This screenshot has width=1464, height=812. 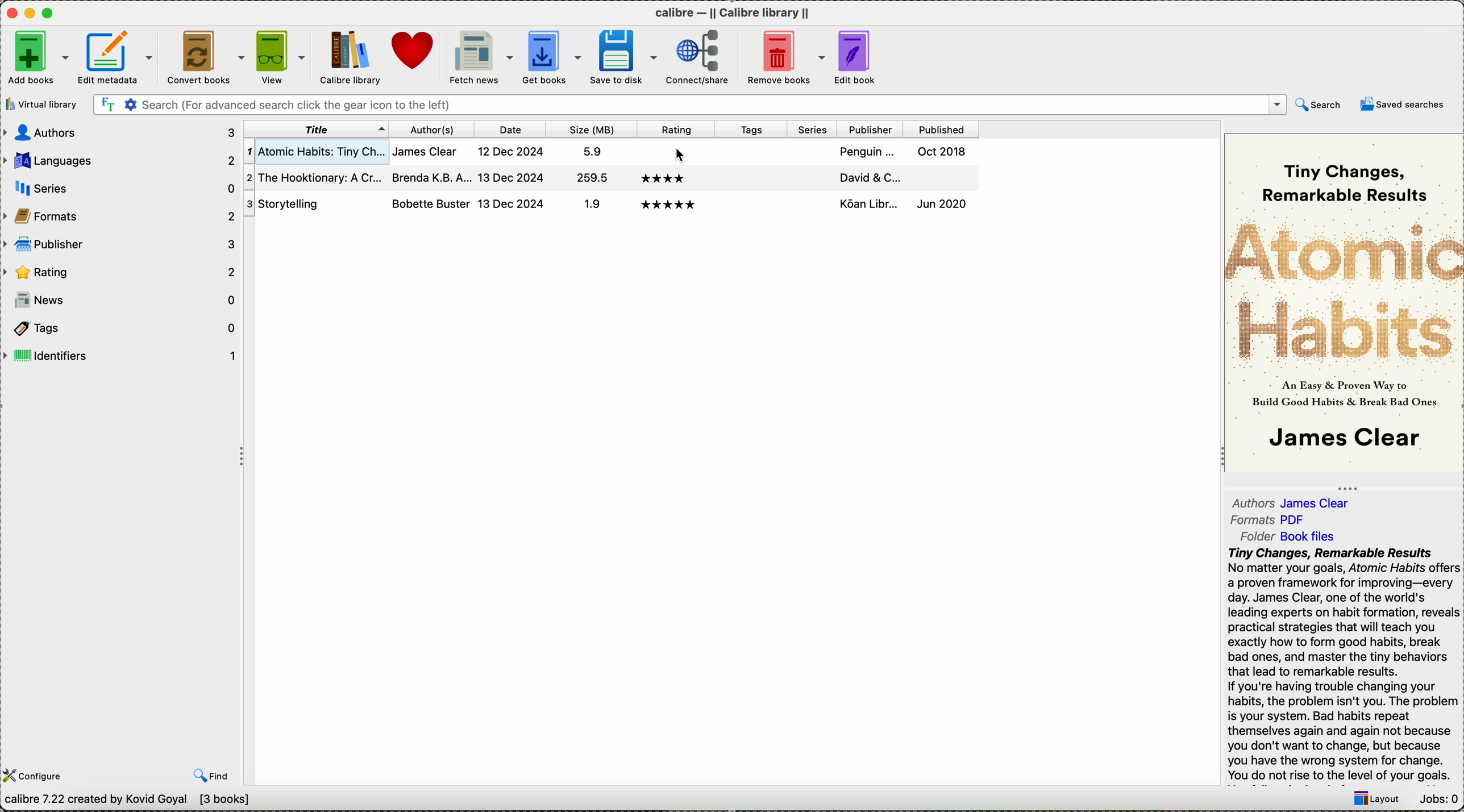 I want to click on jun 2020, so click(x=942, y=202).